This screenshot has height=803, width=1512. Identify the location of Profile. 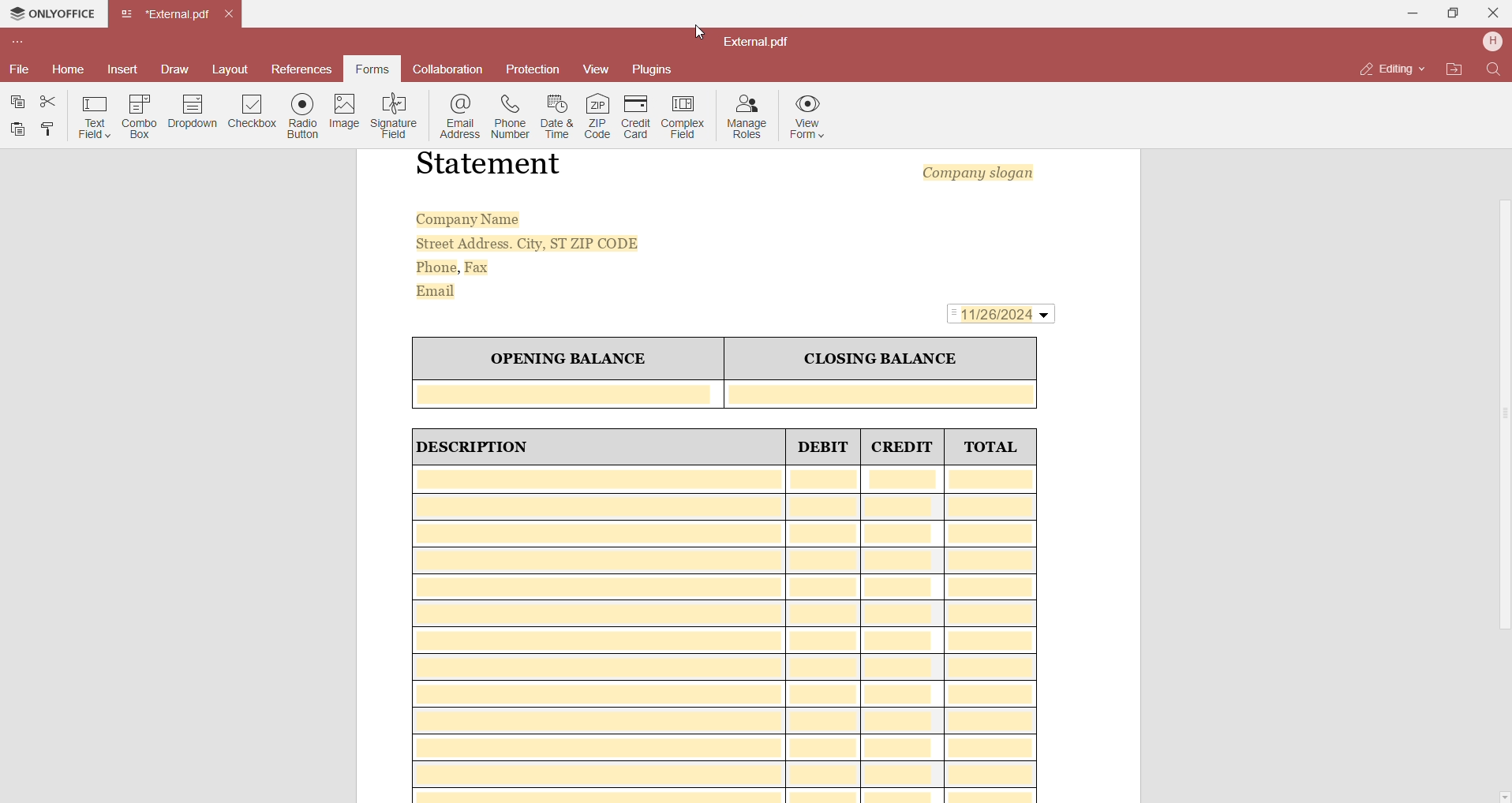
(1493, 41).